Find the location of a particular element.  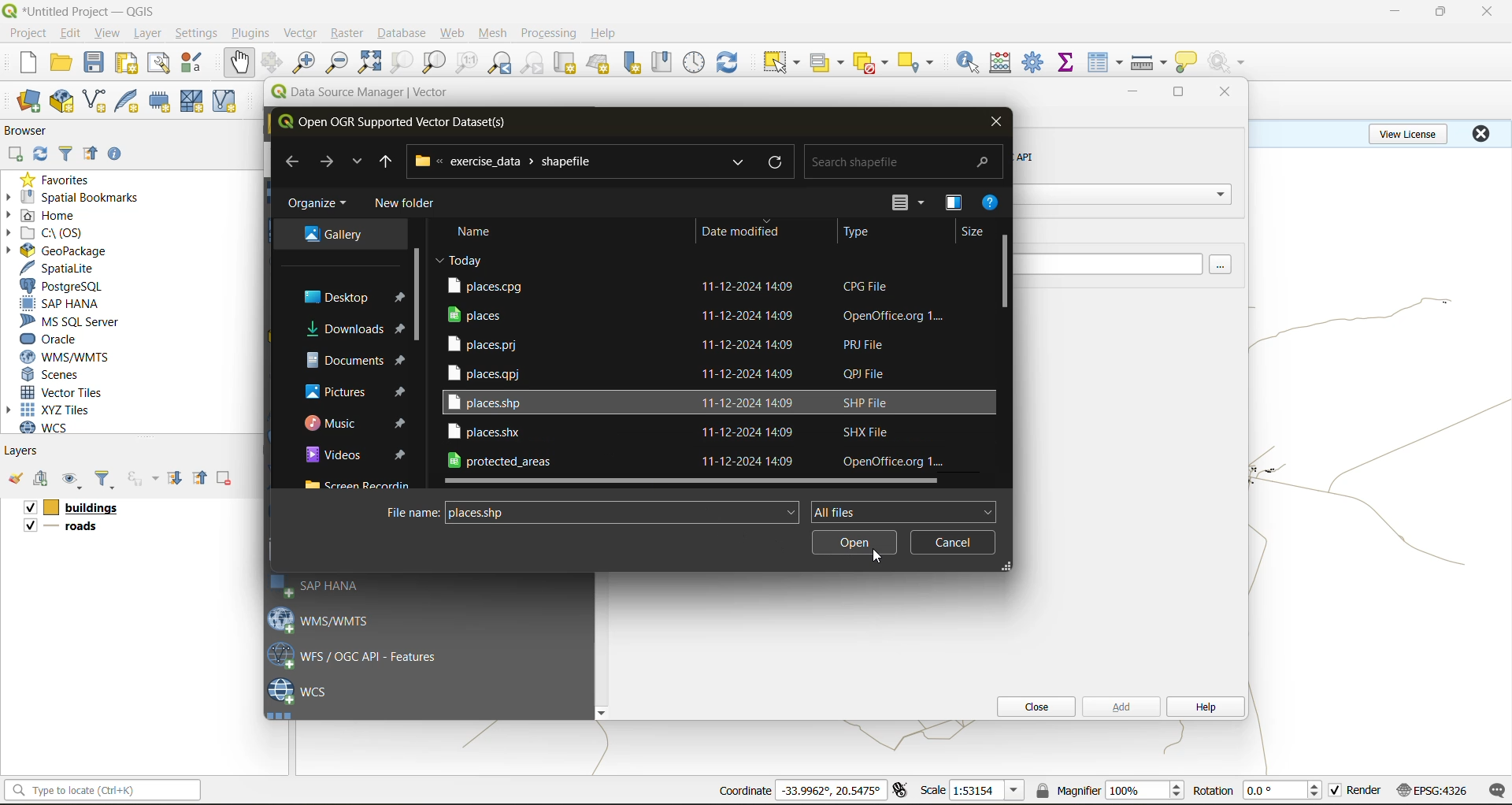

zoom in is located at coordinates (307, 63).